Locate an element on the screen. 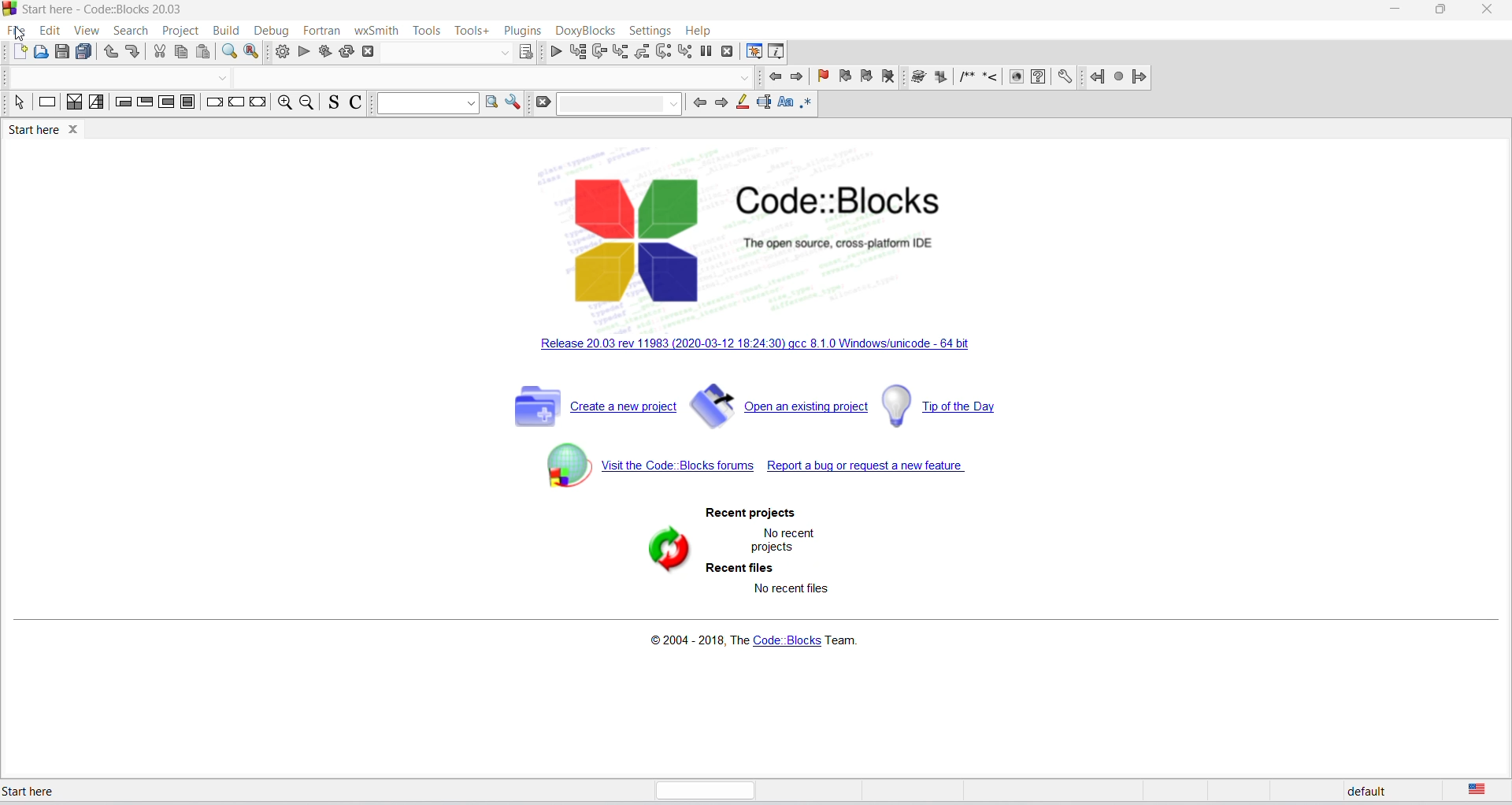  option window is located at coordinates (490, 103).